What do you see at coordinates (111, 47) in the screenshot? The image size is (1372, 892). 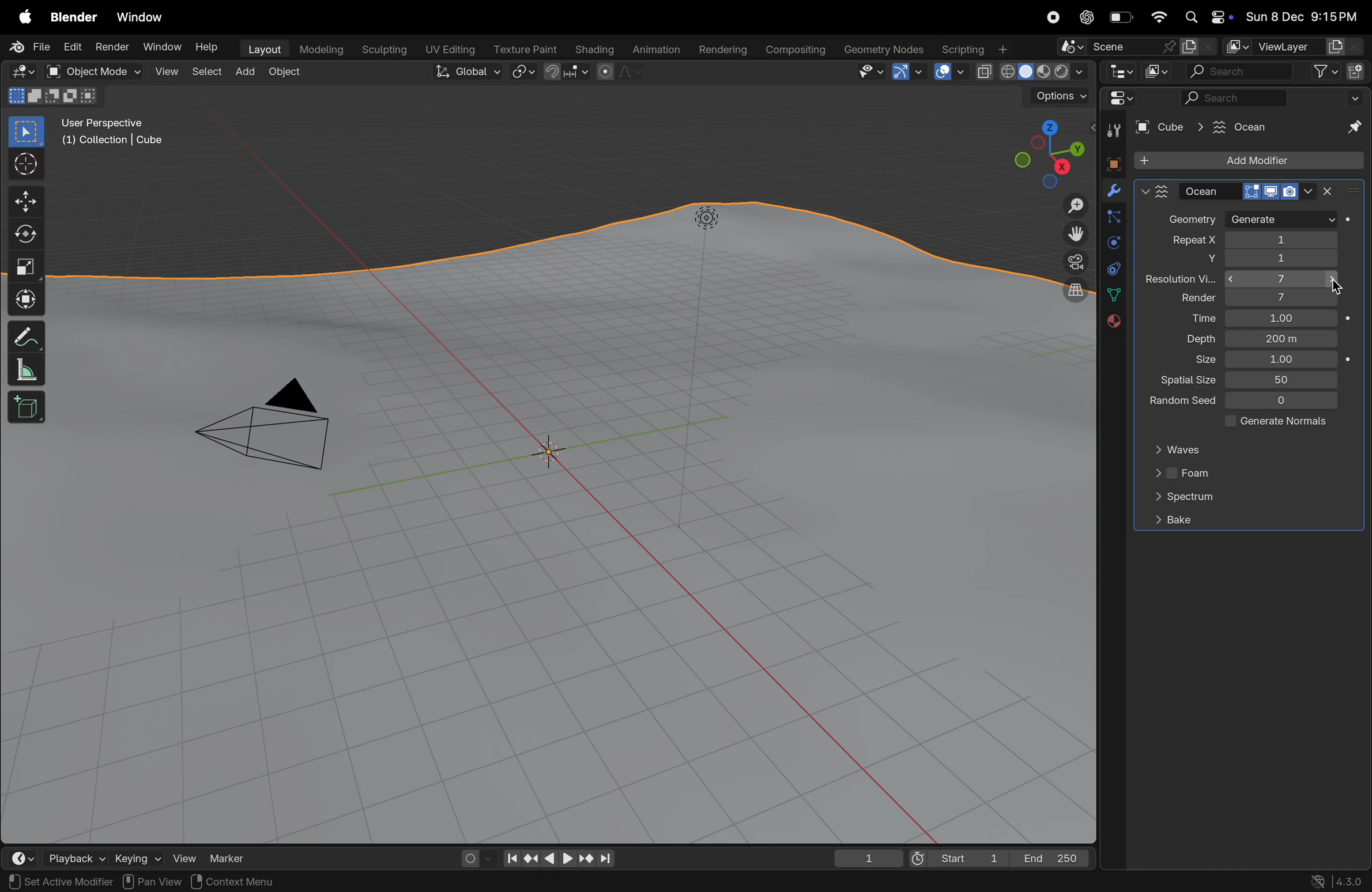 I see `render` at bounding box center [111, 47].